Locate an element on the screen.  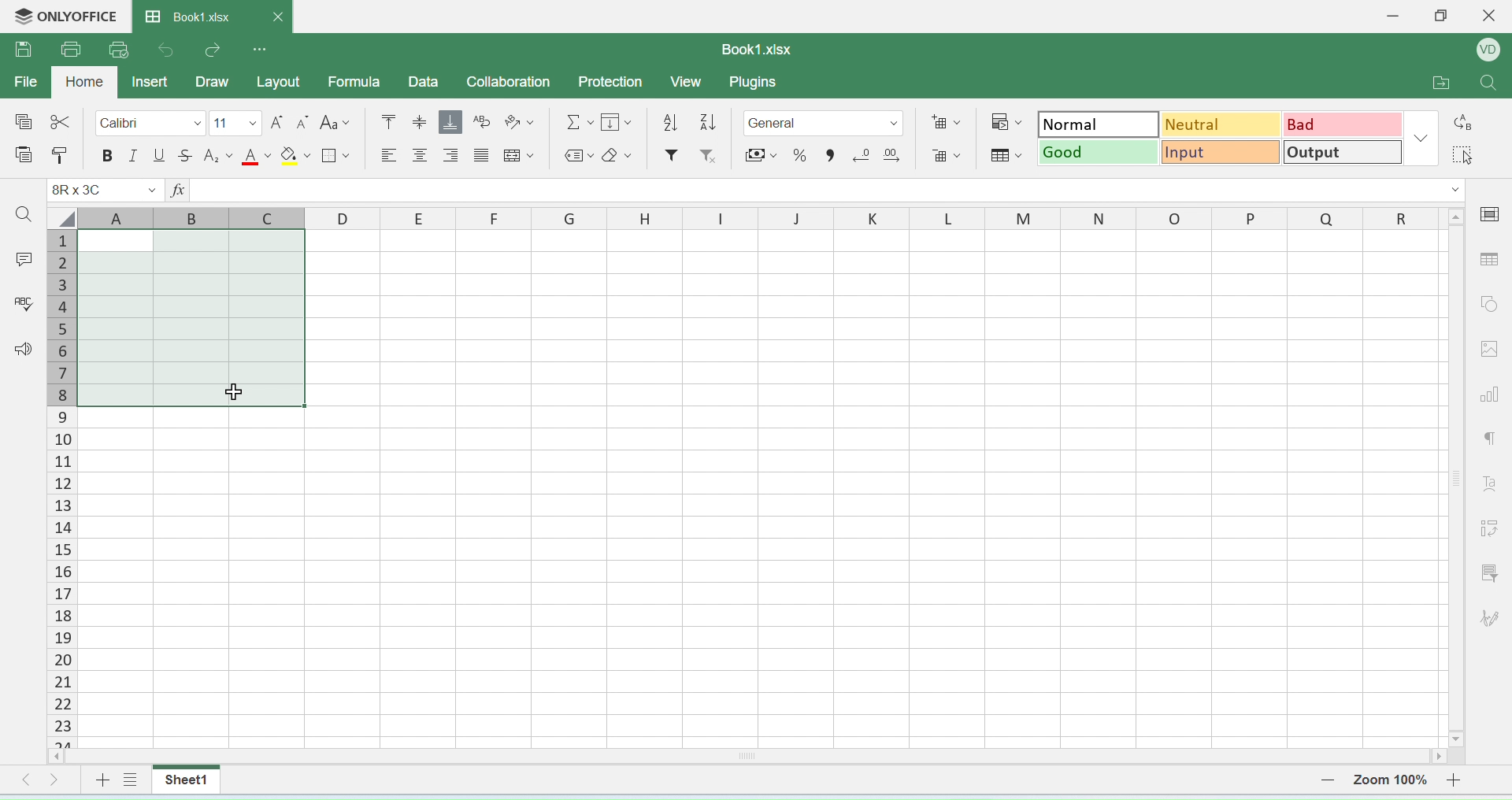
protection is located at coordinates (608, 82).